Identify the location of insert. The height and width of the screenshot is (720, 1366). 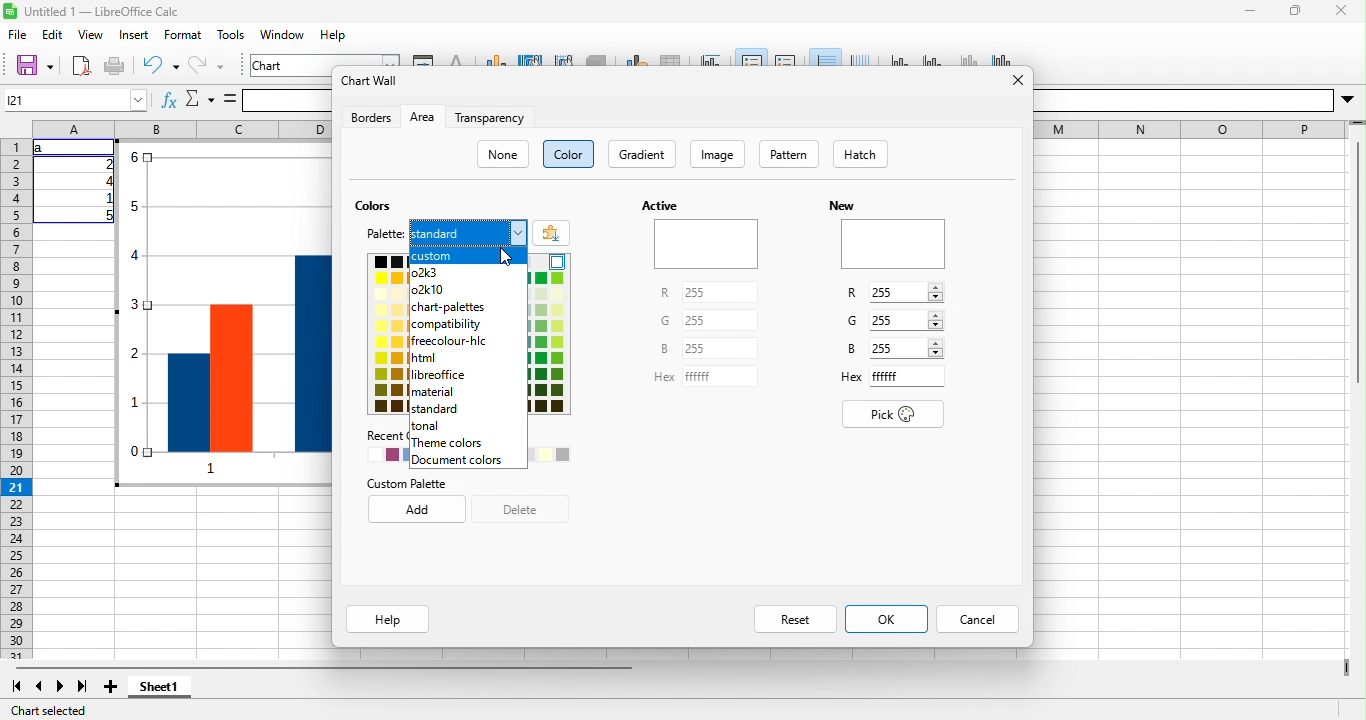
(135, 34).